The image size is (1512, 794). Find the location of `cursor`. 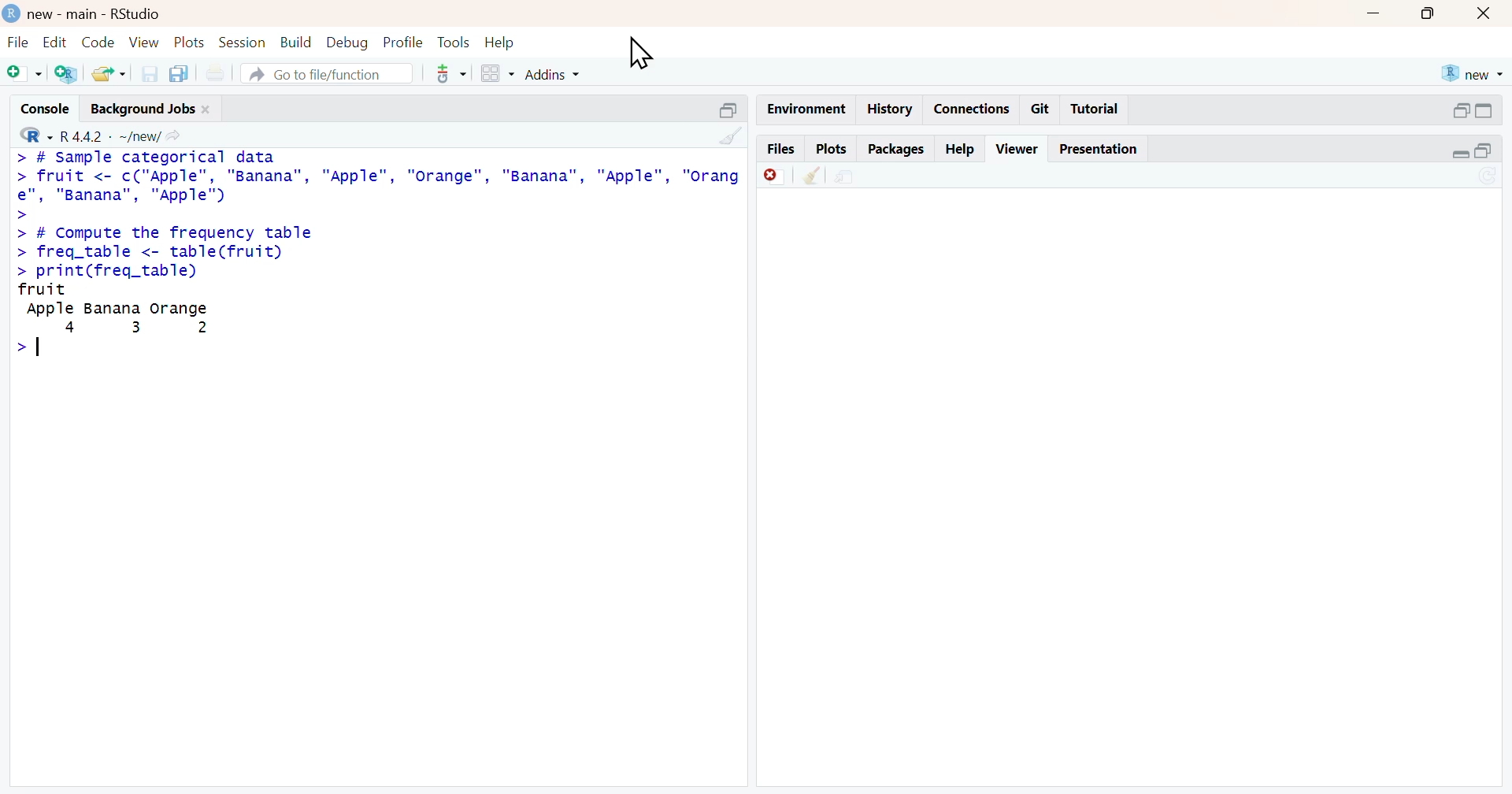

cursor is located at coordinates (641, 54).